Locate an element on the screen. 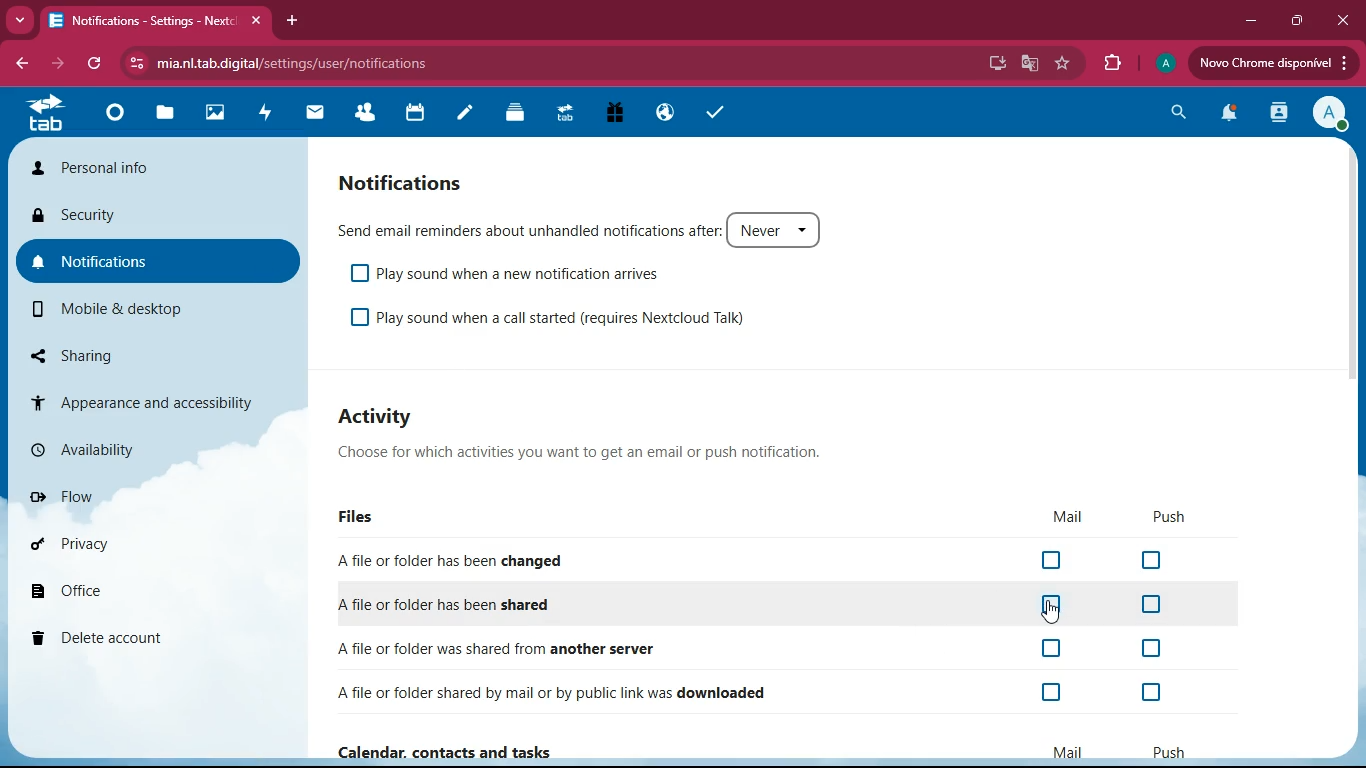 The height and width of the screenshot is (768, 1366). mobile is located at coordinates (132, 308).